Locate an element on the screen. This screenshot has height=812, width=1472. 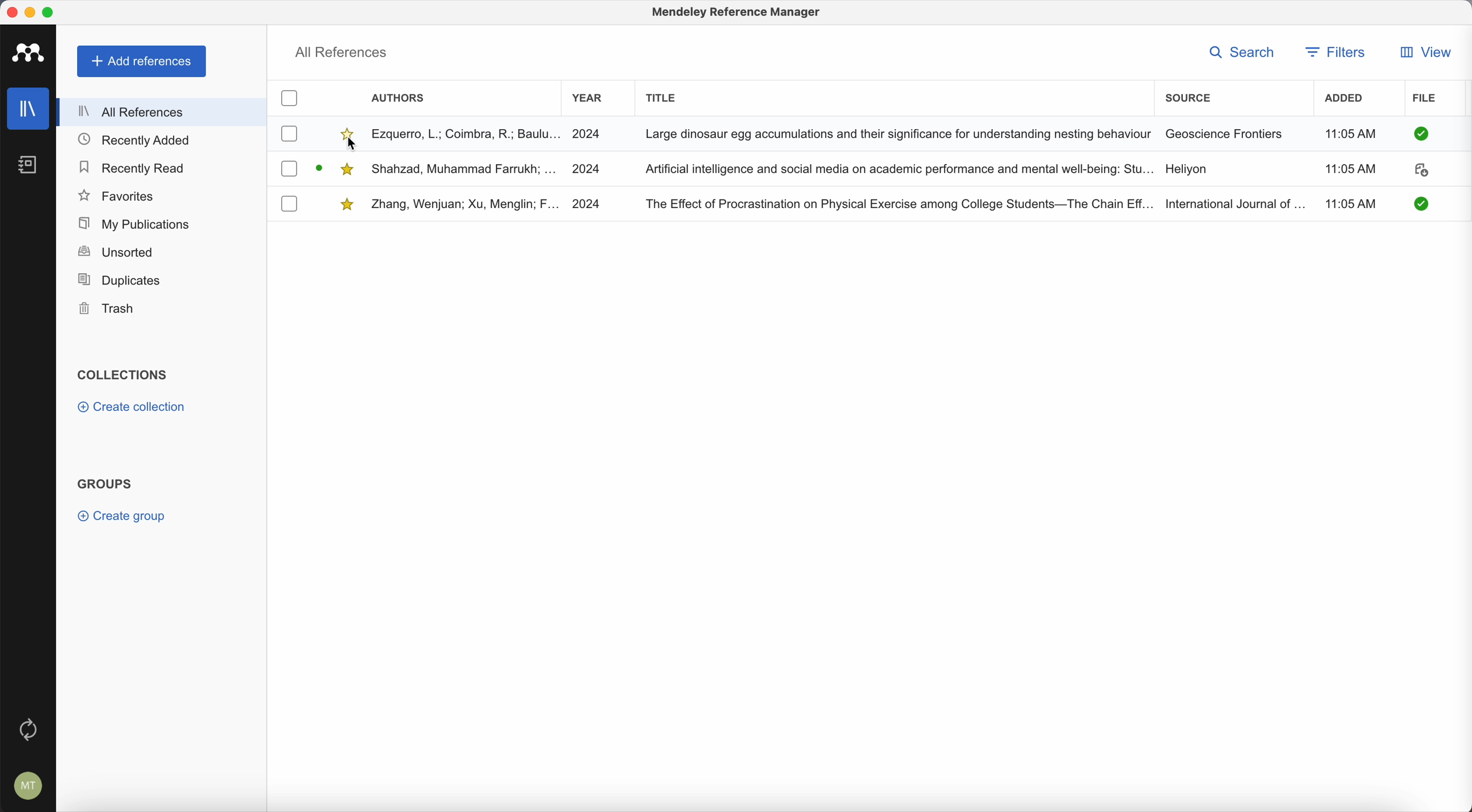
my publications is located at coordinates (131, 222).